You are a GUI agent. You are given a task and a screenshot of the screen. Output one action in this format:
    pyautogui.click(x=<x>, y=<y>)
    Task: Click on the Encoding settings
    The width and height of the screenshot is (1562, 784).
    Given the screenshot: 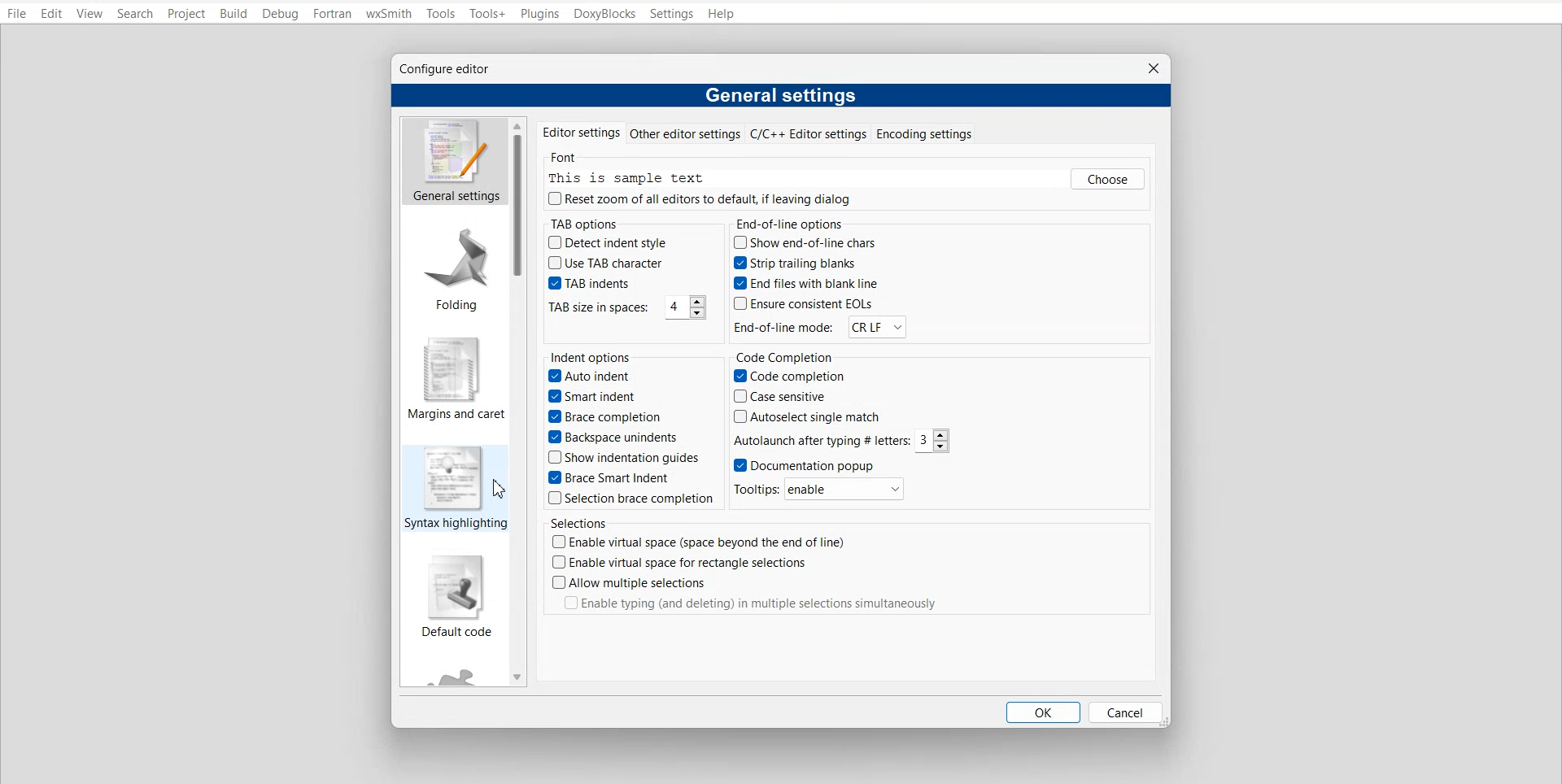 What is the action you would take?
    pyautogui.click(x=925, y=134)
    